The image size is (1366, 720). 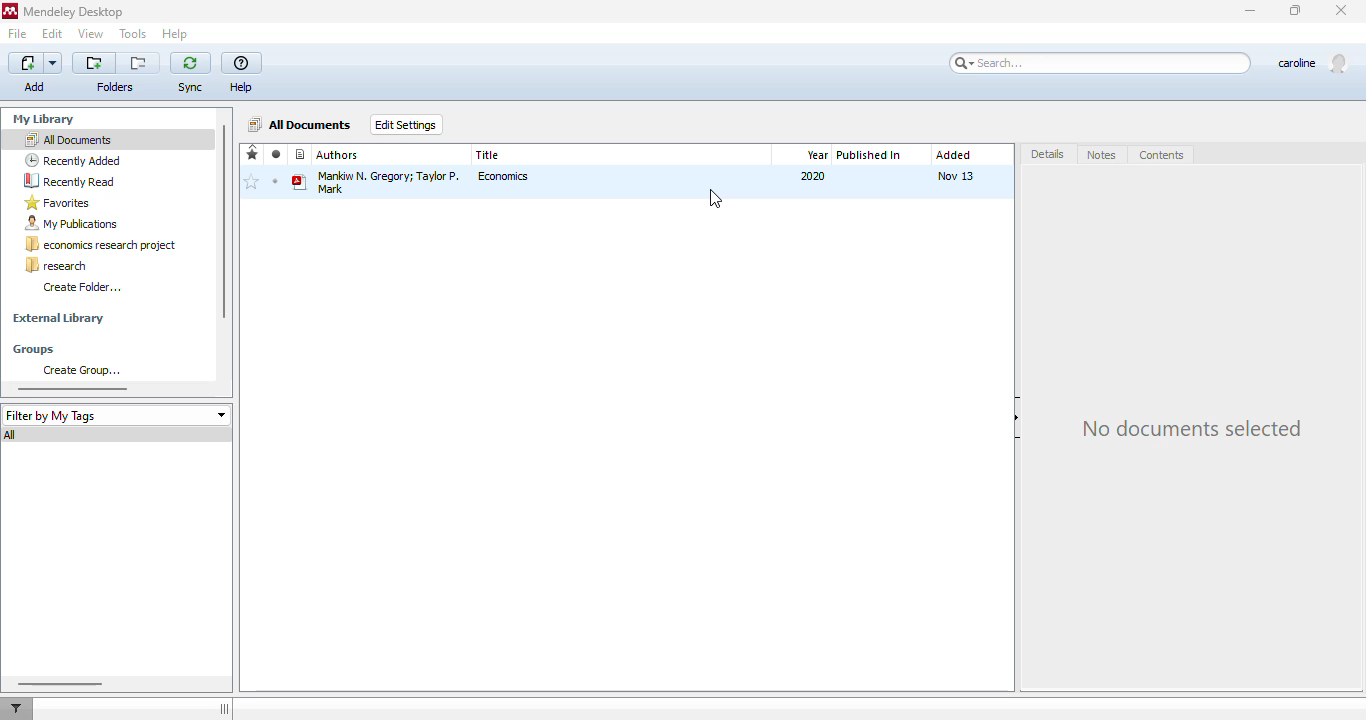 What do you see at coordinates (276, 181) in the screenshot?
I see `unread` at bounding box center [276, 181].